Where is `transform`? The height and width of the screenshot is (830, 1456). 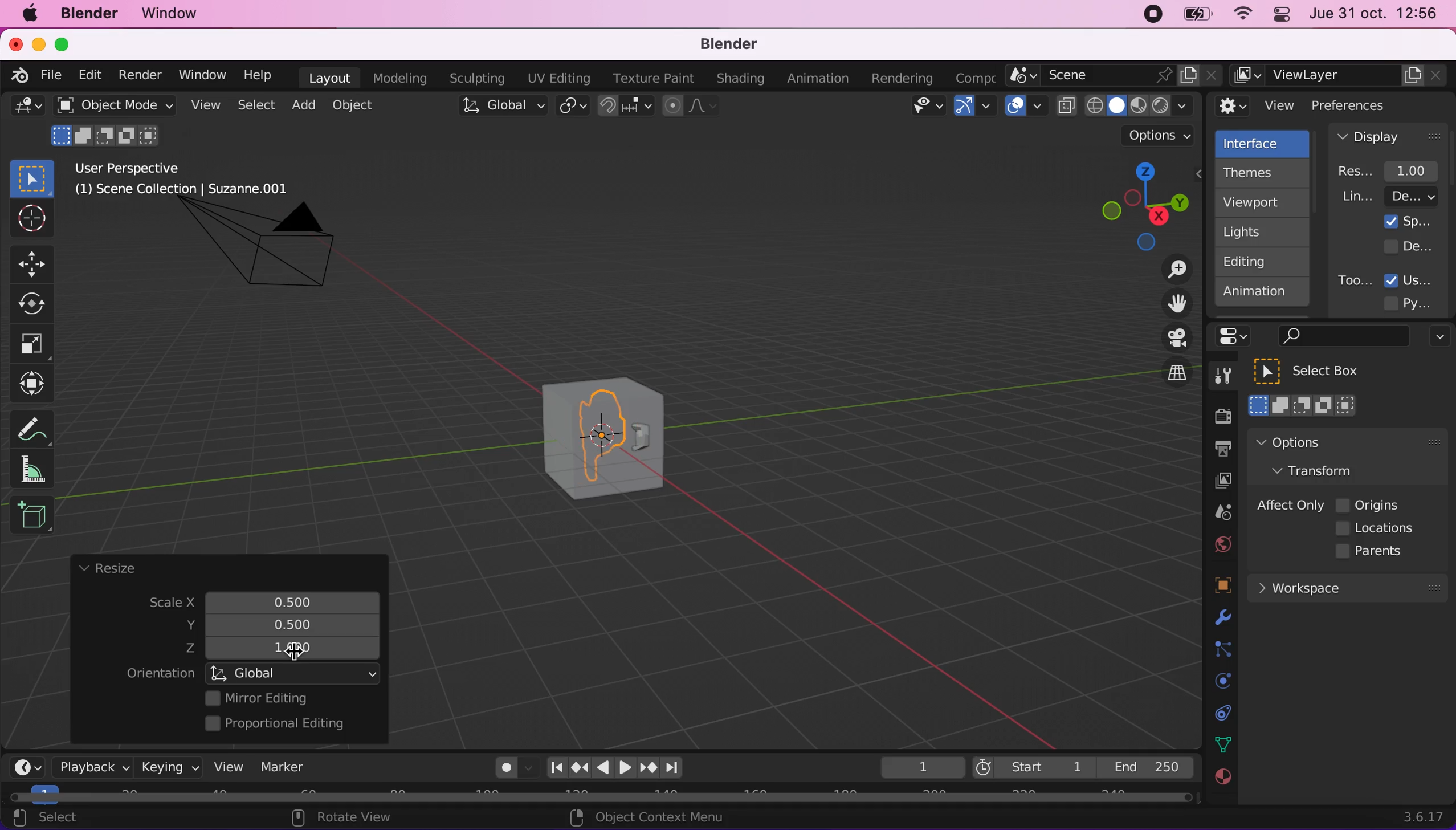
transform is located at coordinates (1324, 470).